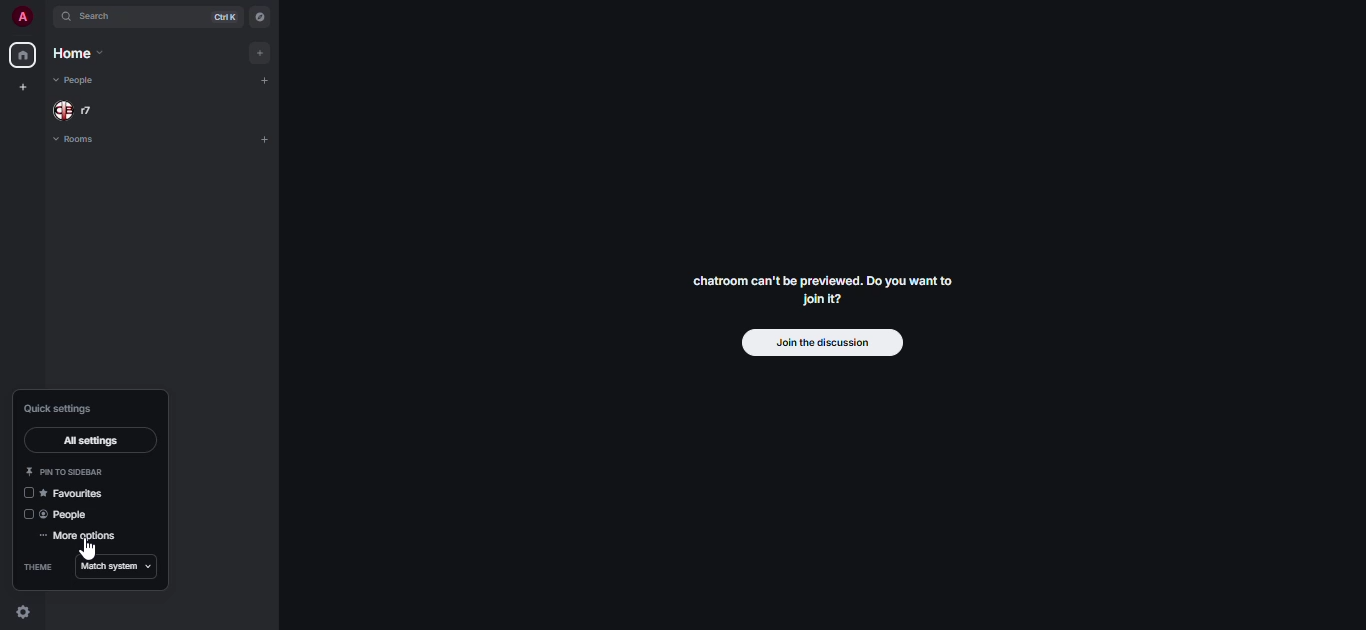  What do you see at coordinates (40, 567) in the screenshot?
I see `theme` at bounding box center [40, 567].